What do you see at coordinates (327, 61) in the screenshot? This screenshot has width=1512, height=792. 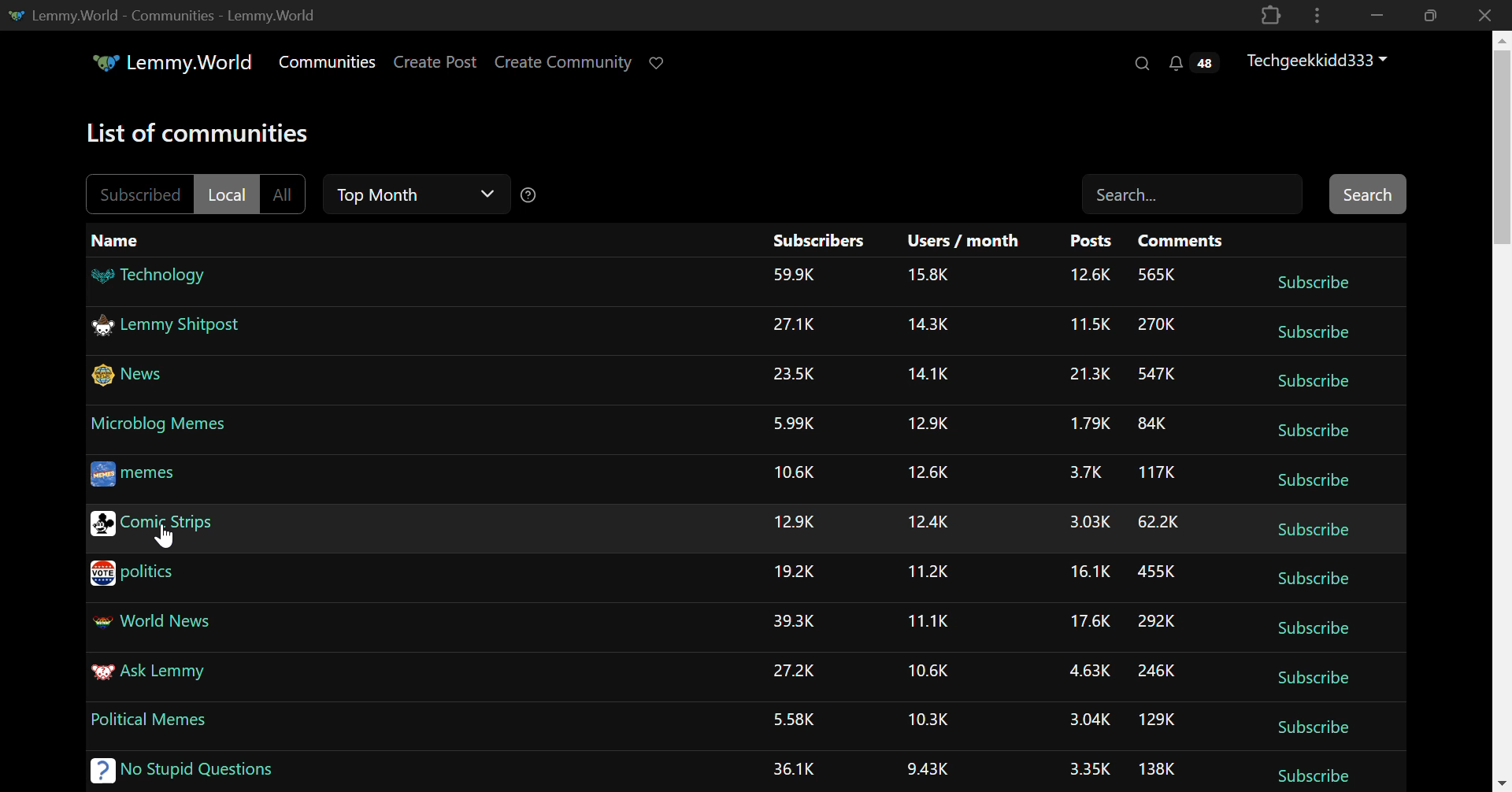 I see `Communities` at bounding box center [327, 61].